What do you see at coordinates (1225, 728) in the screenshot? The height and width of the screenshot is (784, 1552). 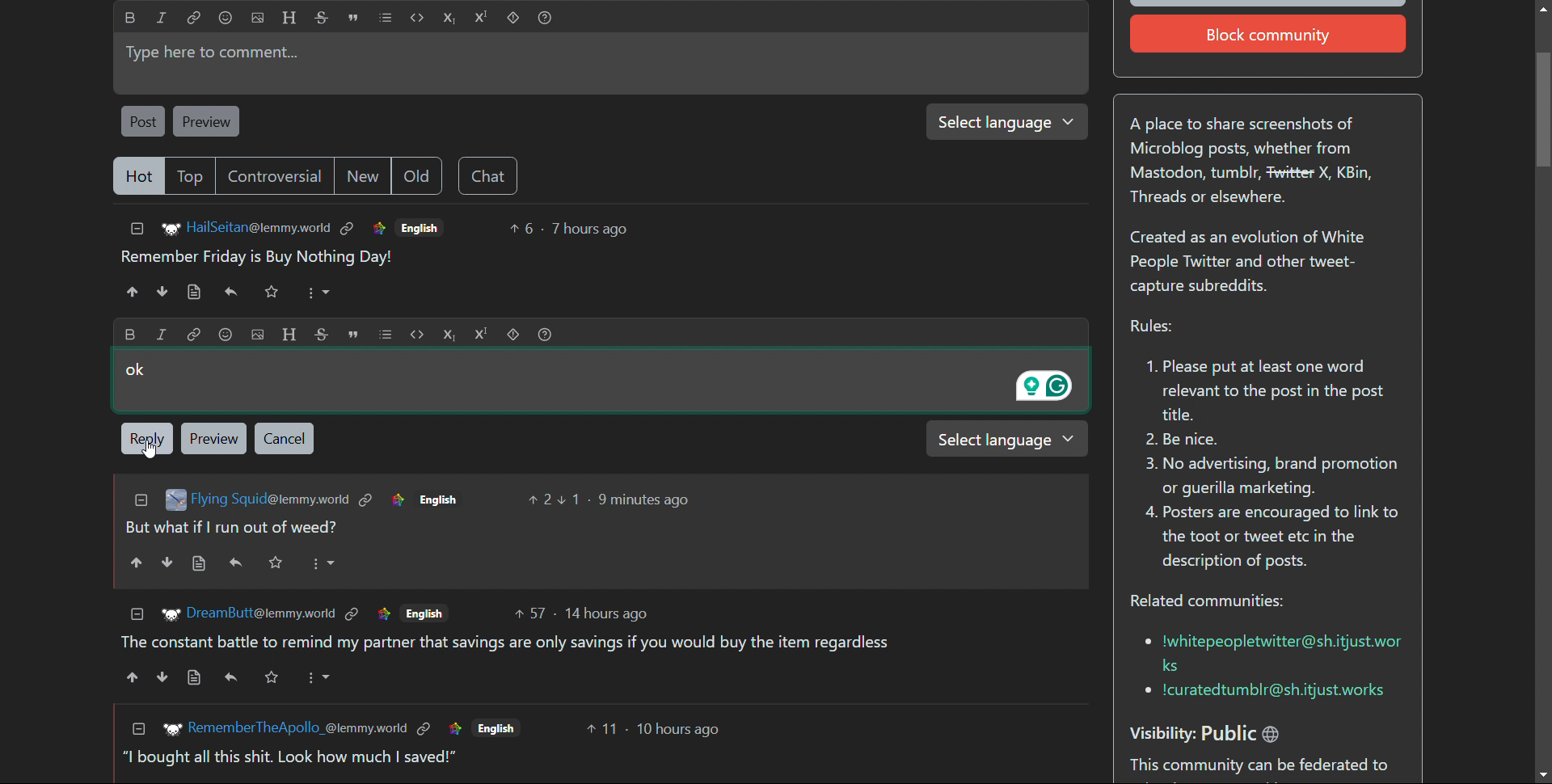 I see `Visibility: Public` at bounding box center [1225, 728].